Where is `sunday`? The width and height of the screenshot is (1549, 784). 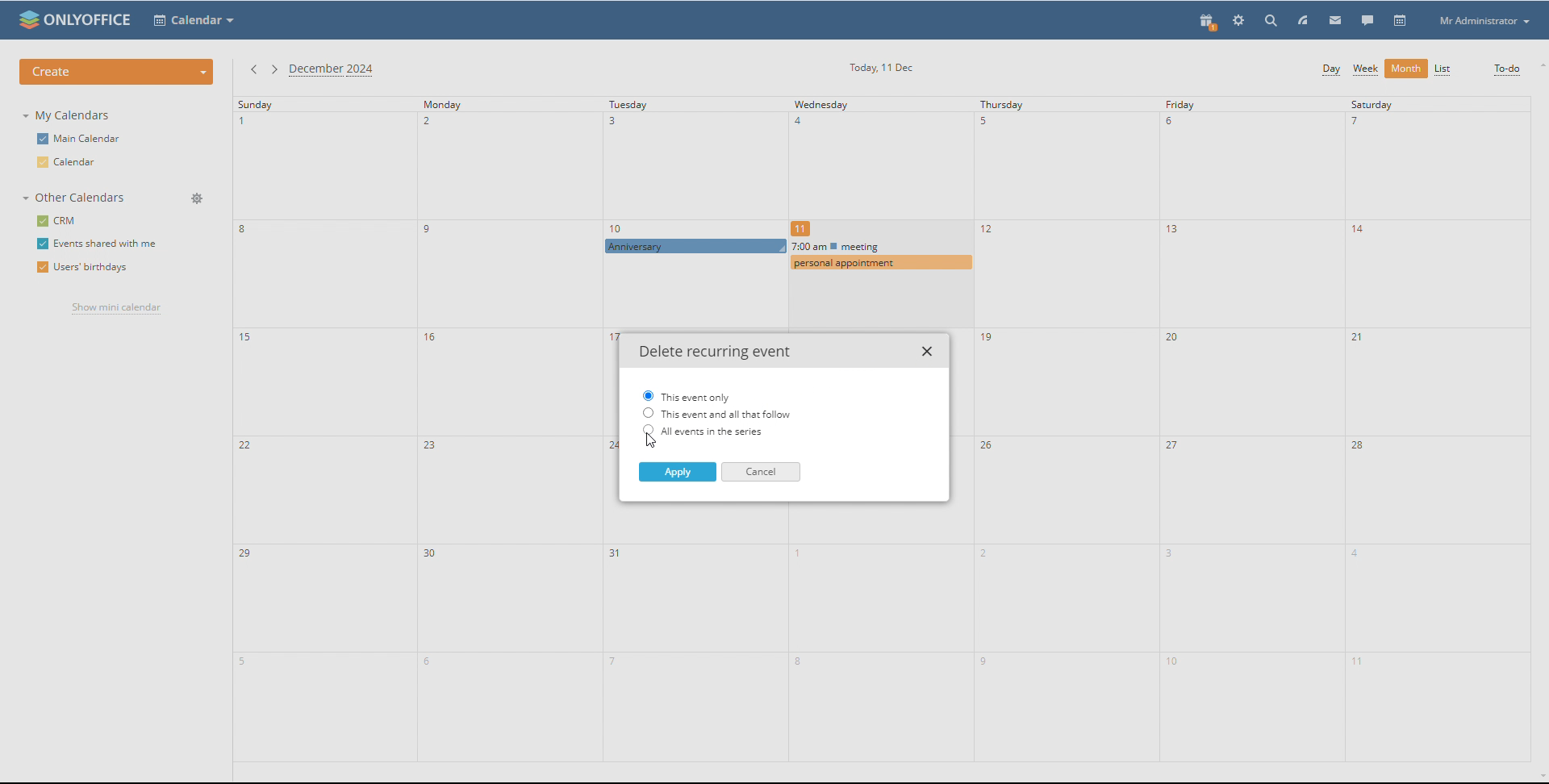
sunday is located at coordinates (325, 429).